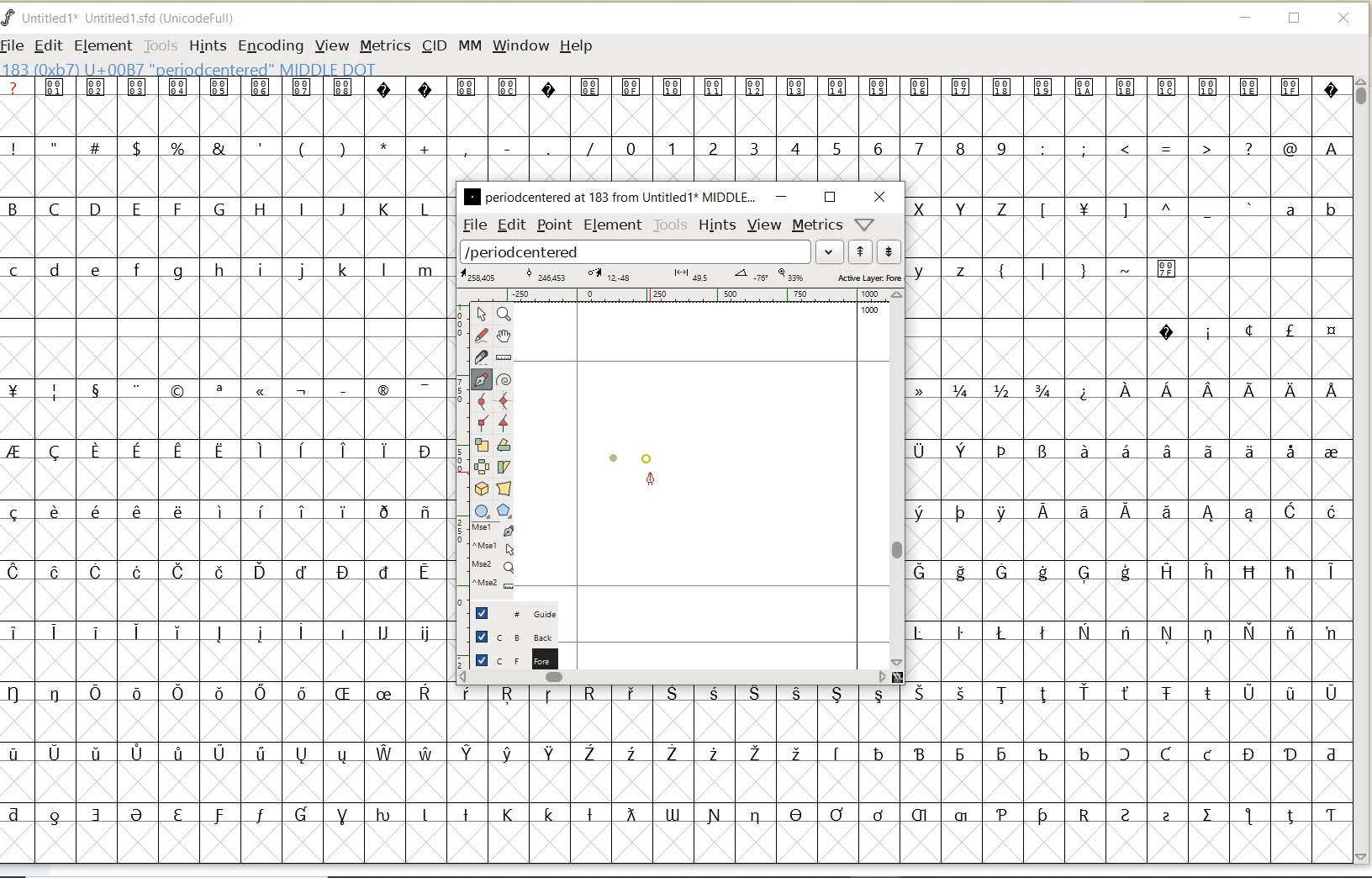 Image resolution: width=1372 pixels, height=878 pixels. What do you see at coordinates (131, 19) in the screenshot?
I see `FONT NAME` at bounding box center [131, 19].